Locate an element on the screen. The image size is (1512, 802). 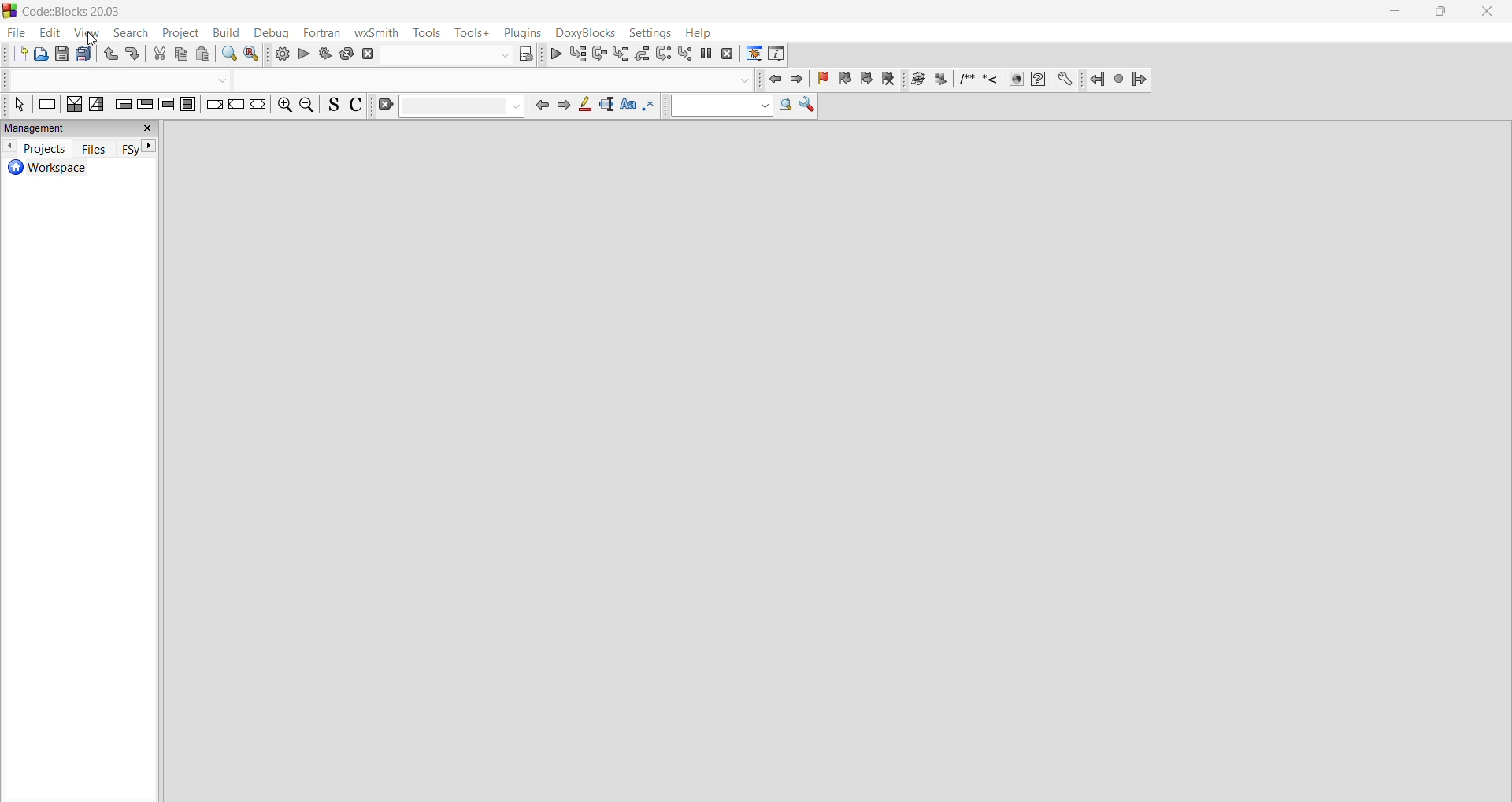
match case is located at coordinates (628, 106).